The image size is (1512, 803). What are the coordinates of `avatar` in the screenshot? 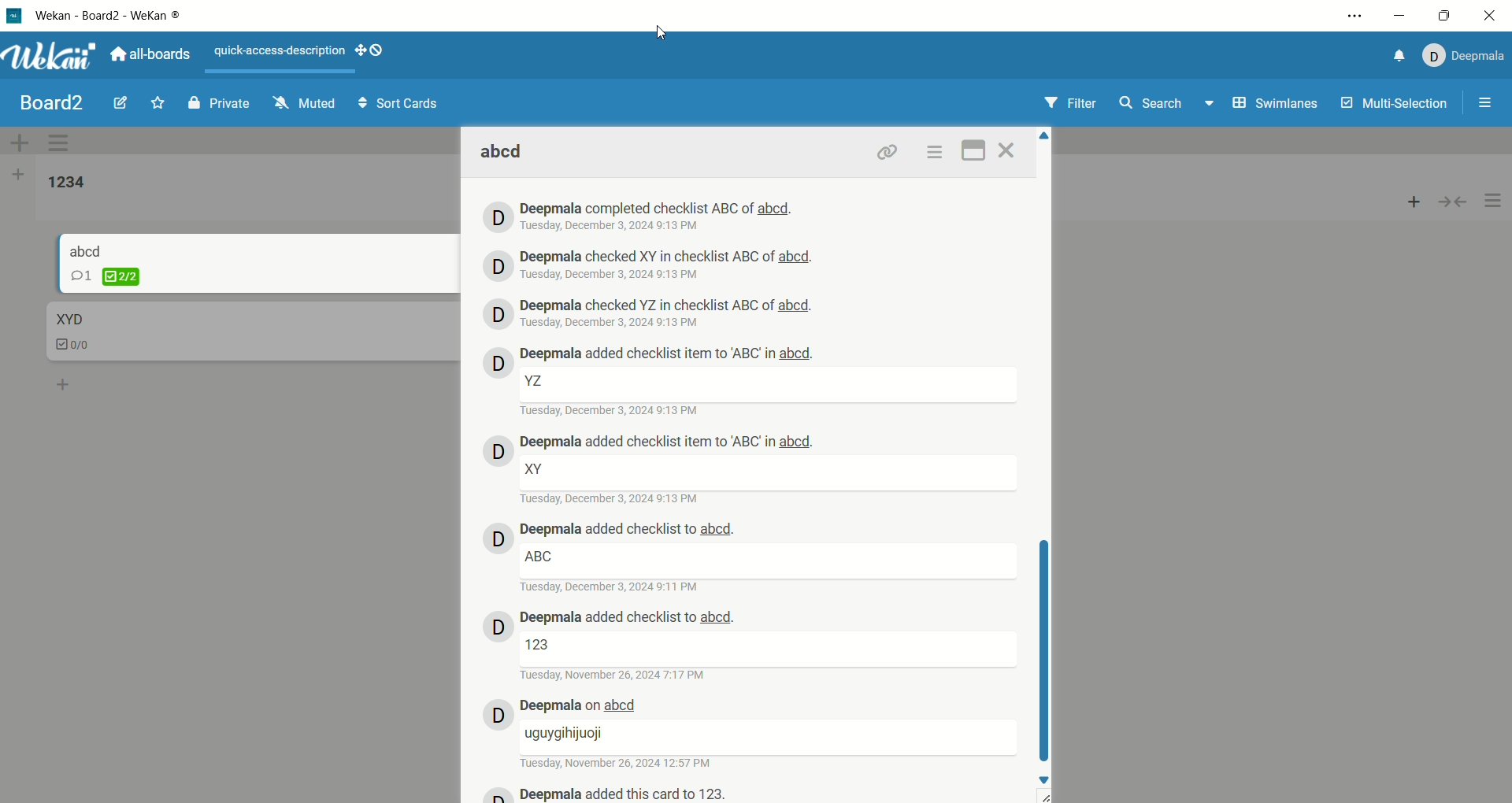 It's located at (495, 361).